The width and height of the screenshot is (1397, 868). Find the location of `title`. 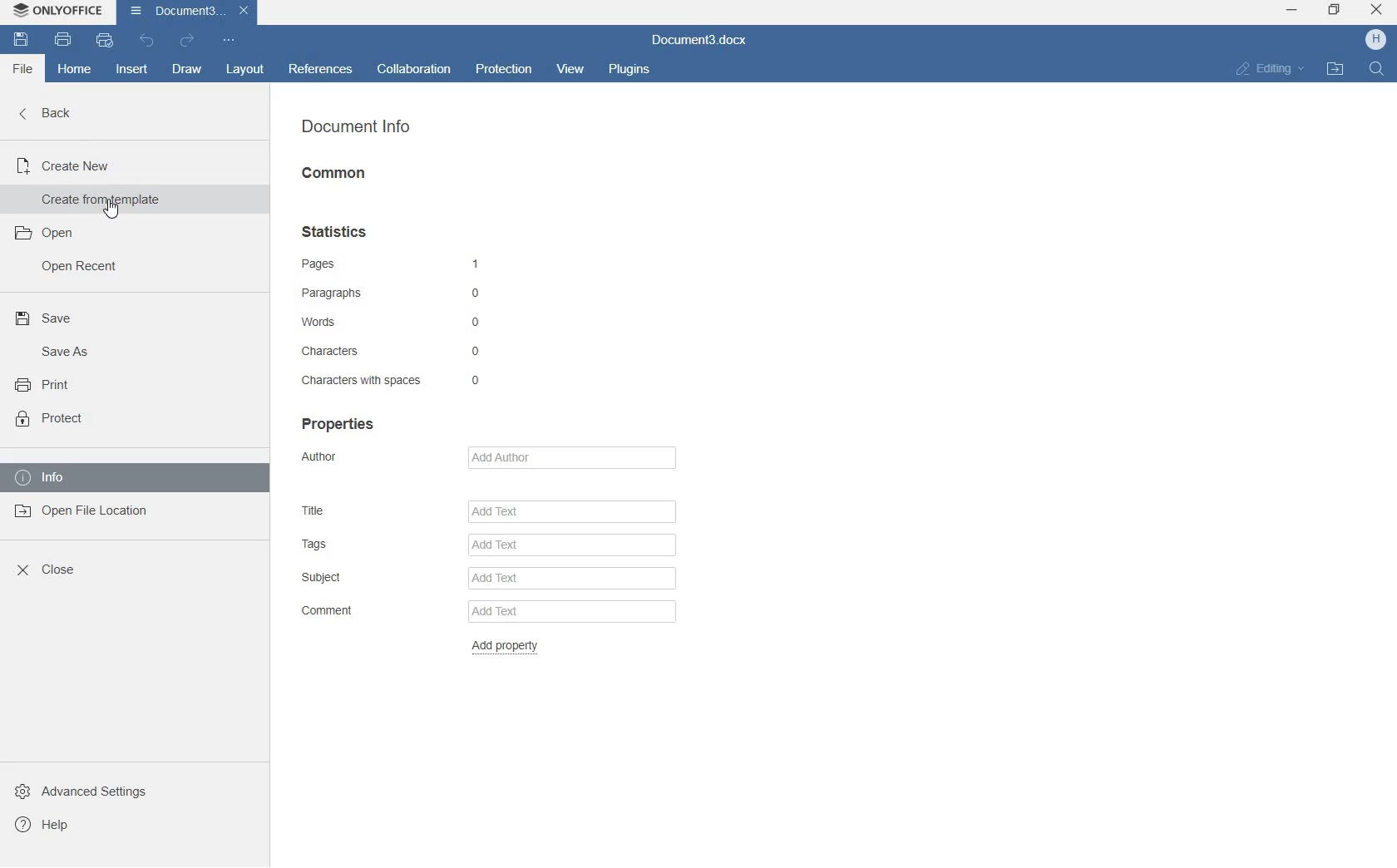

title is located at coordinates (332, 510).